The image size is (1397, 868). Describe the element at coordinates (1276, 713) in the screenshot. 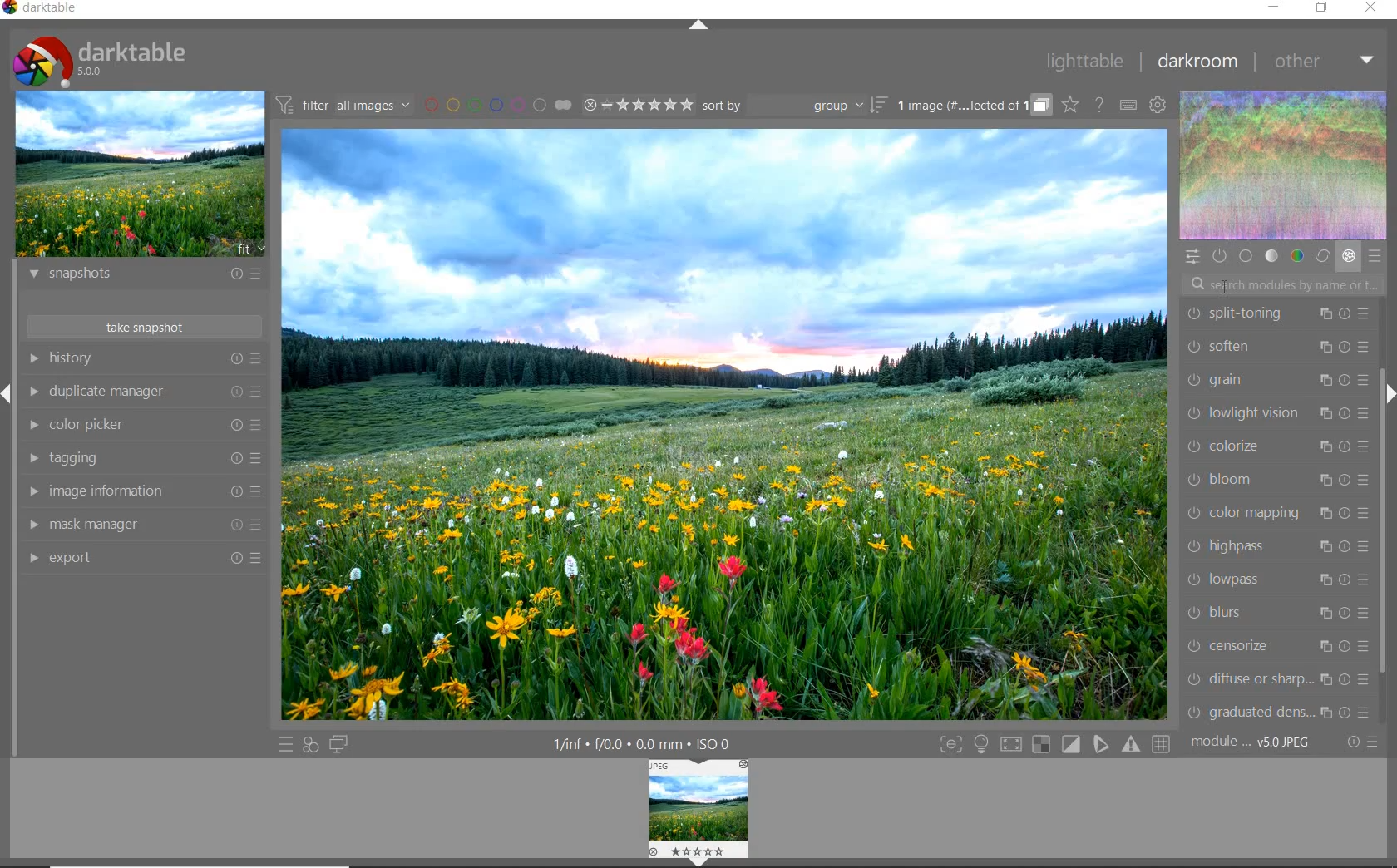

I see `graduated density` at that location.